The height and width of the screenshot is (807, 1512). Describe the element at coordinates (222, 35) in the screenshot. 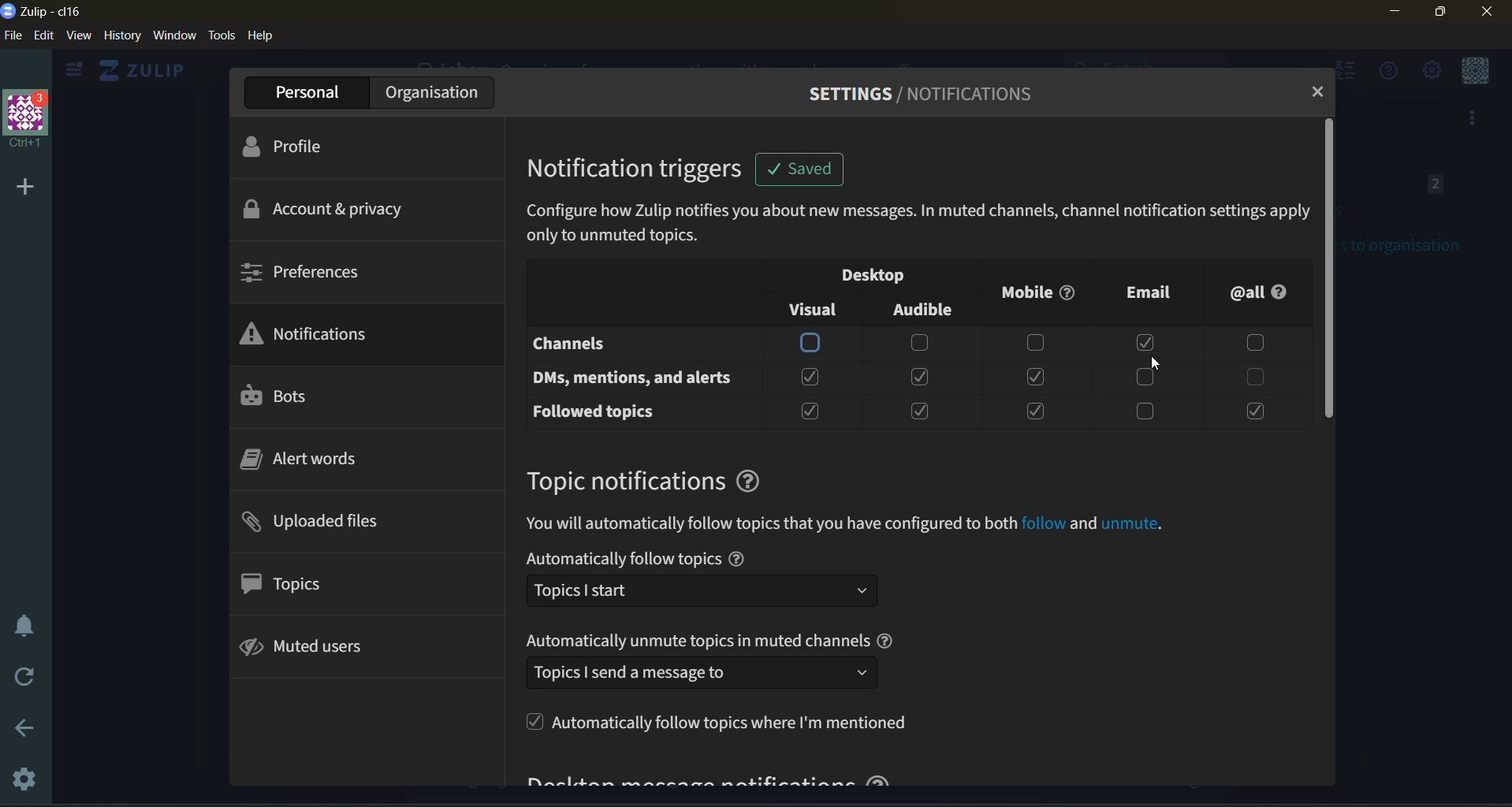

I see `tools` at that location.